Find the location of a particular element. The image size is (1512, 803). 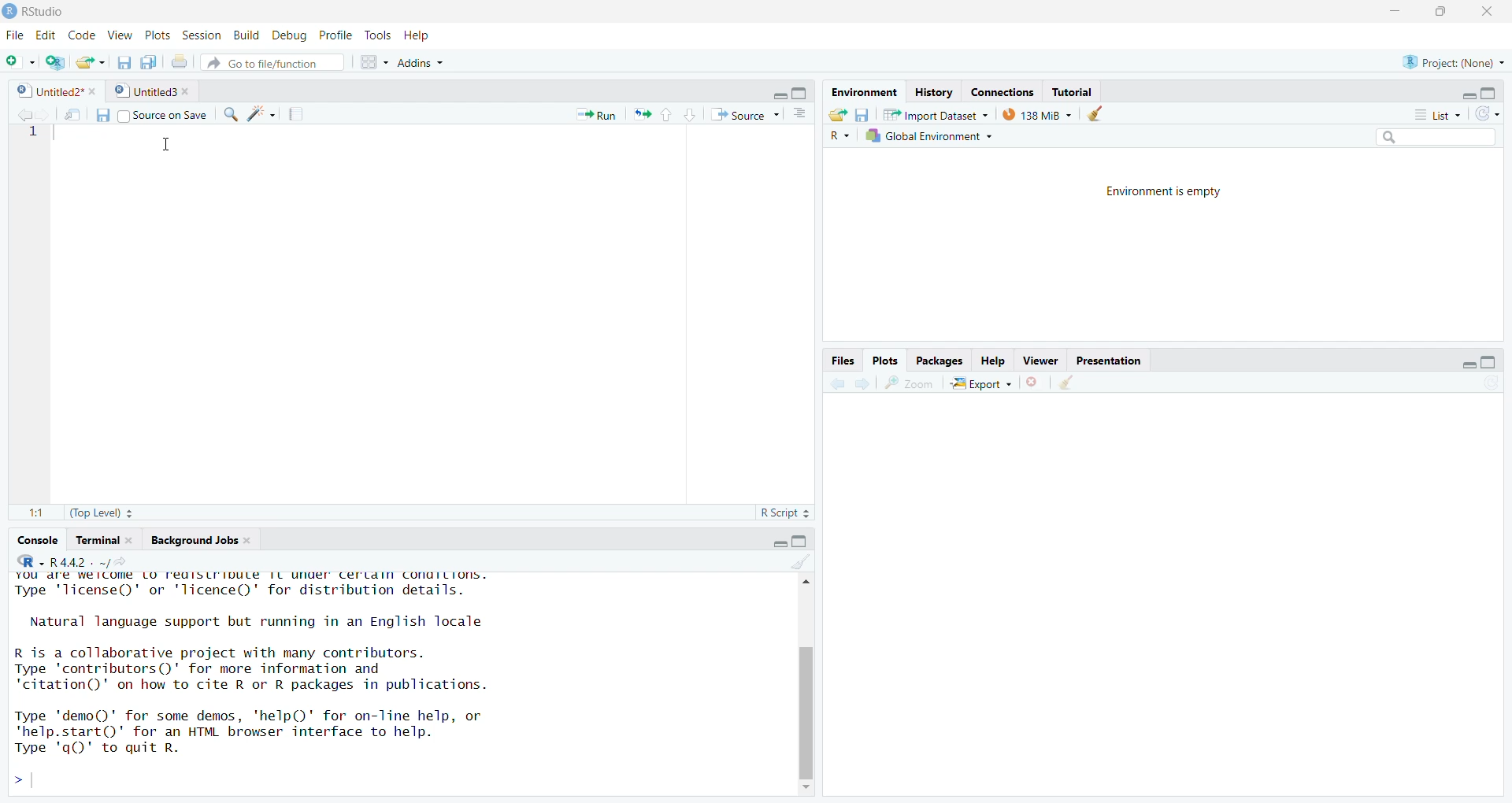

ts Session is located at coordinates (200, 35).